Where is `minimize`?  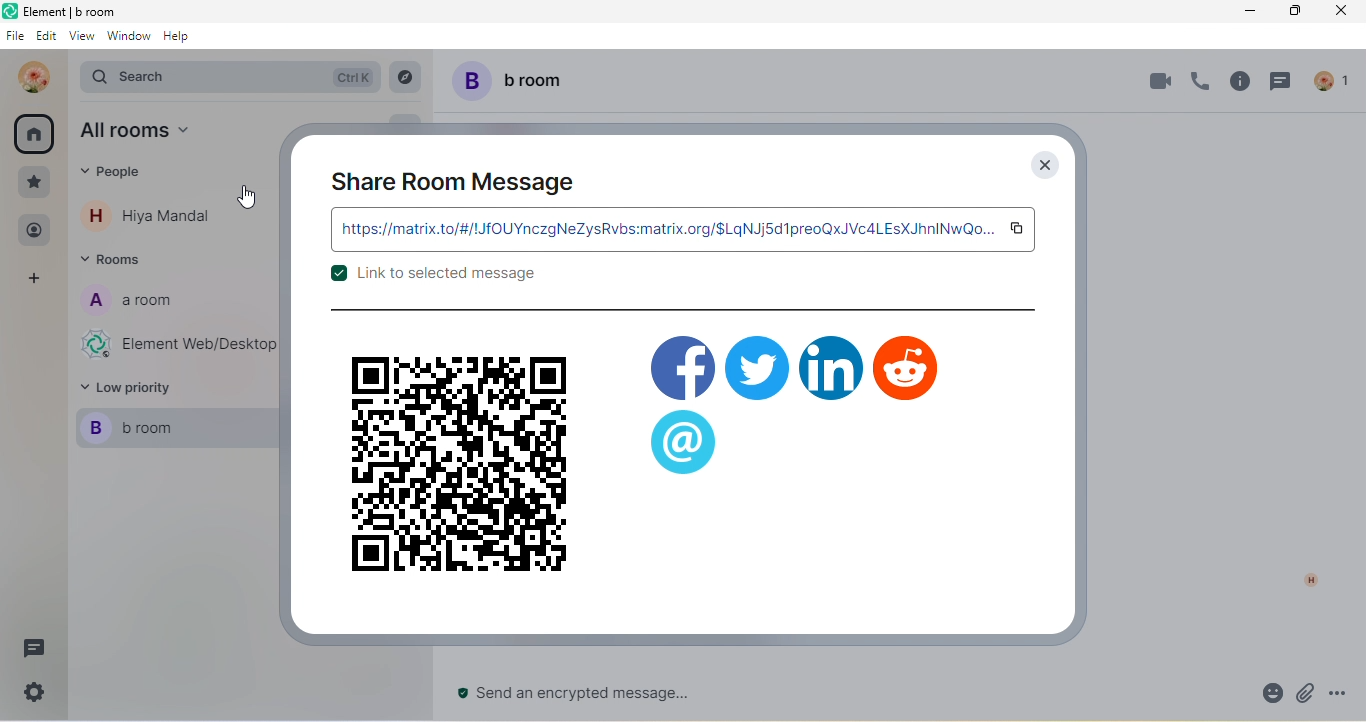
minimize is located at coordinates (1249, 12).